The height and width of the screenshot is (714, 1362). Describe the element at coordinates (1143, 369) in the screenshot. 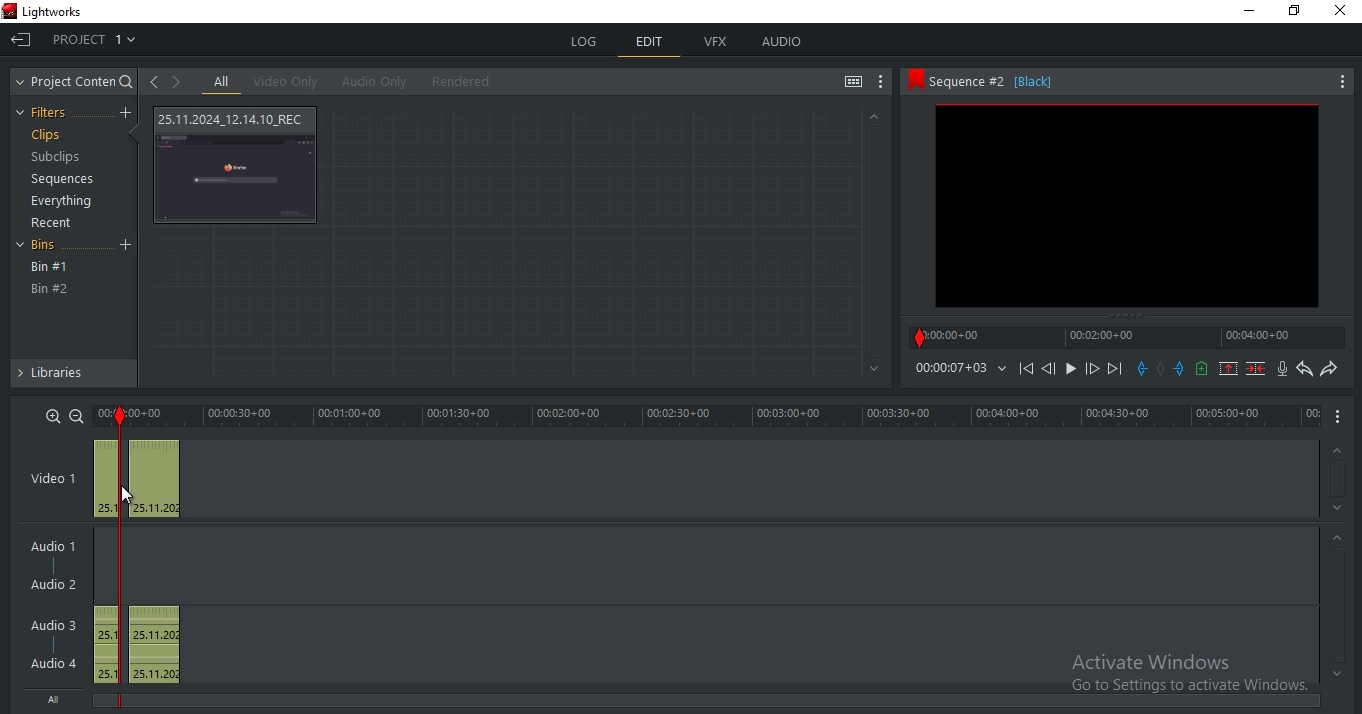

I see `add a in mark` at that location.